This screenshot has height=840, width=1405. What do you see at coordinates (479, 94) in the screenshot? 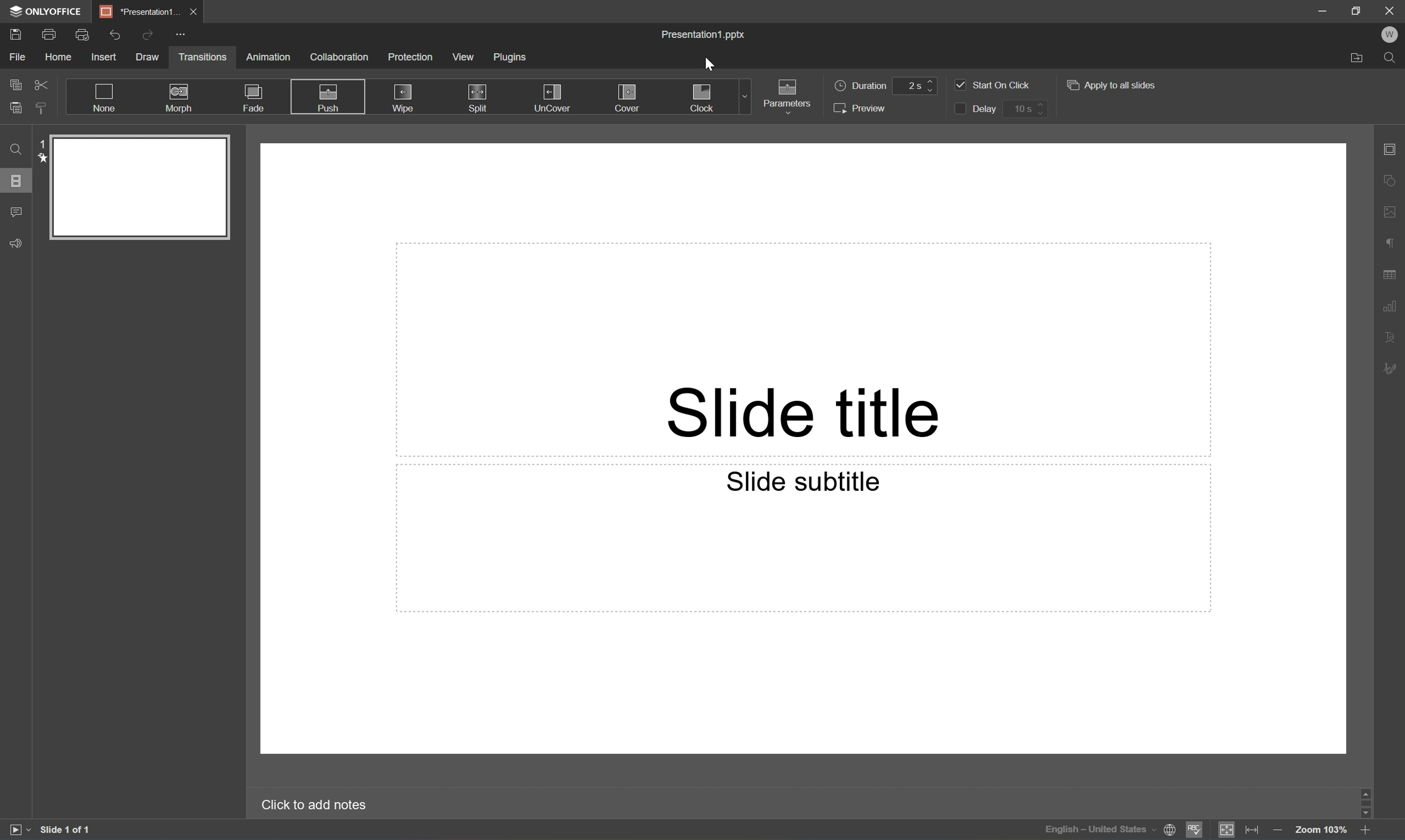
I see `Split` at bounding box center [479, 94].